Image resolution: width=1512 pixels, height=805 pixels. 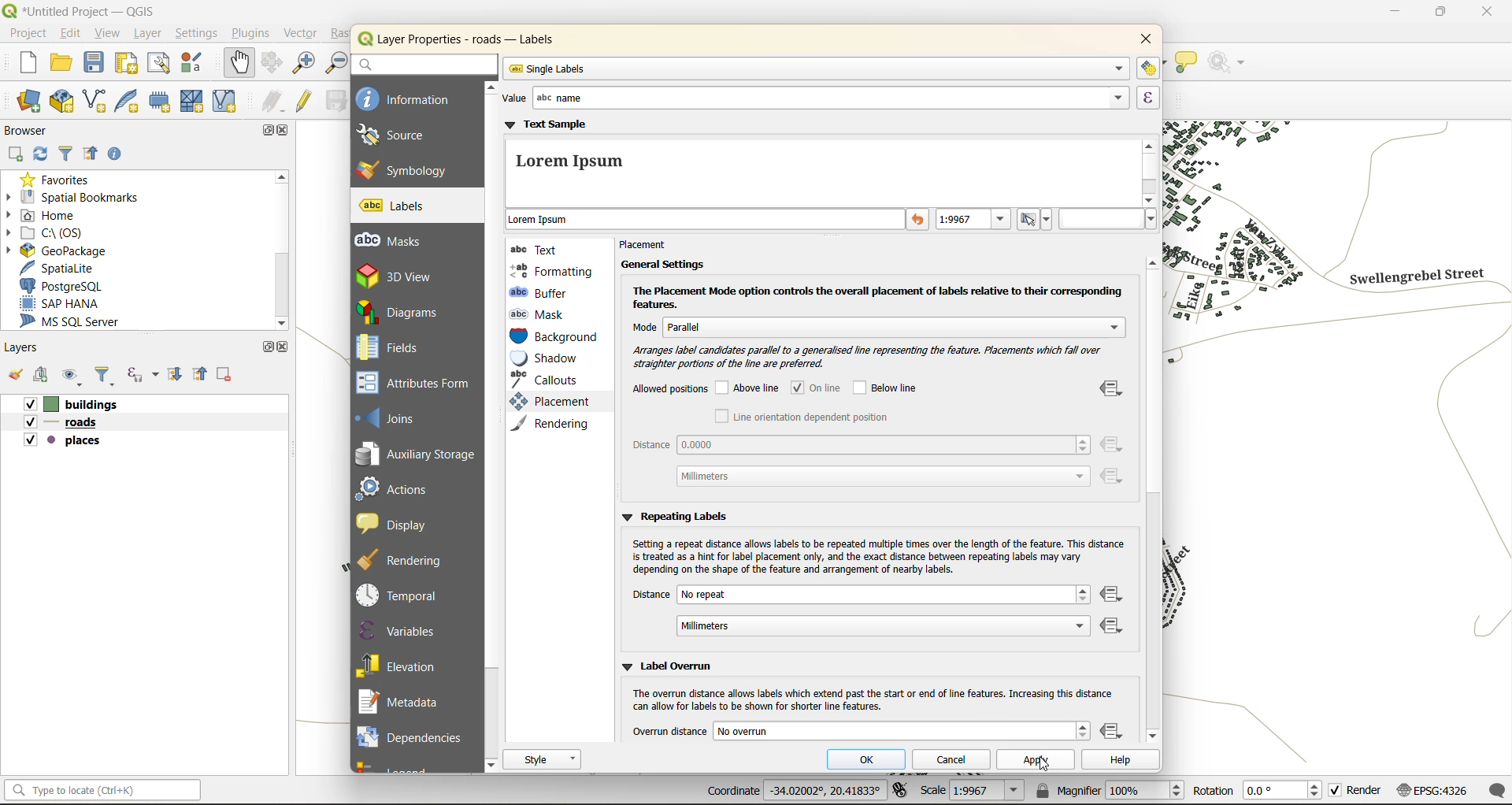 What do you see at coordinates (706, 221) in the screenshot?
I see `sample text` at bounding box center [706, 221].